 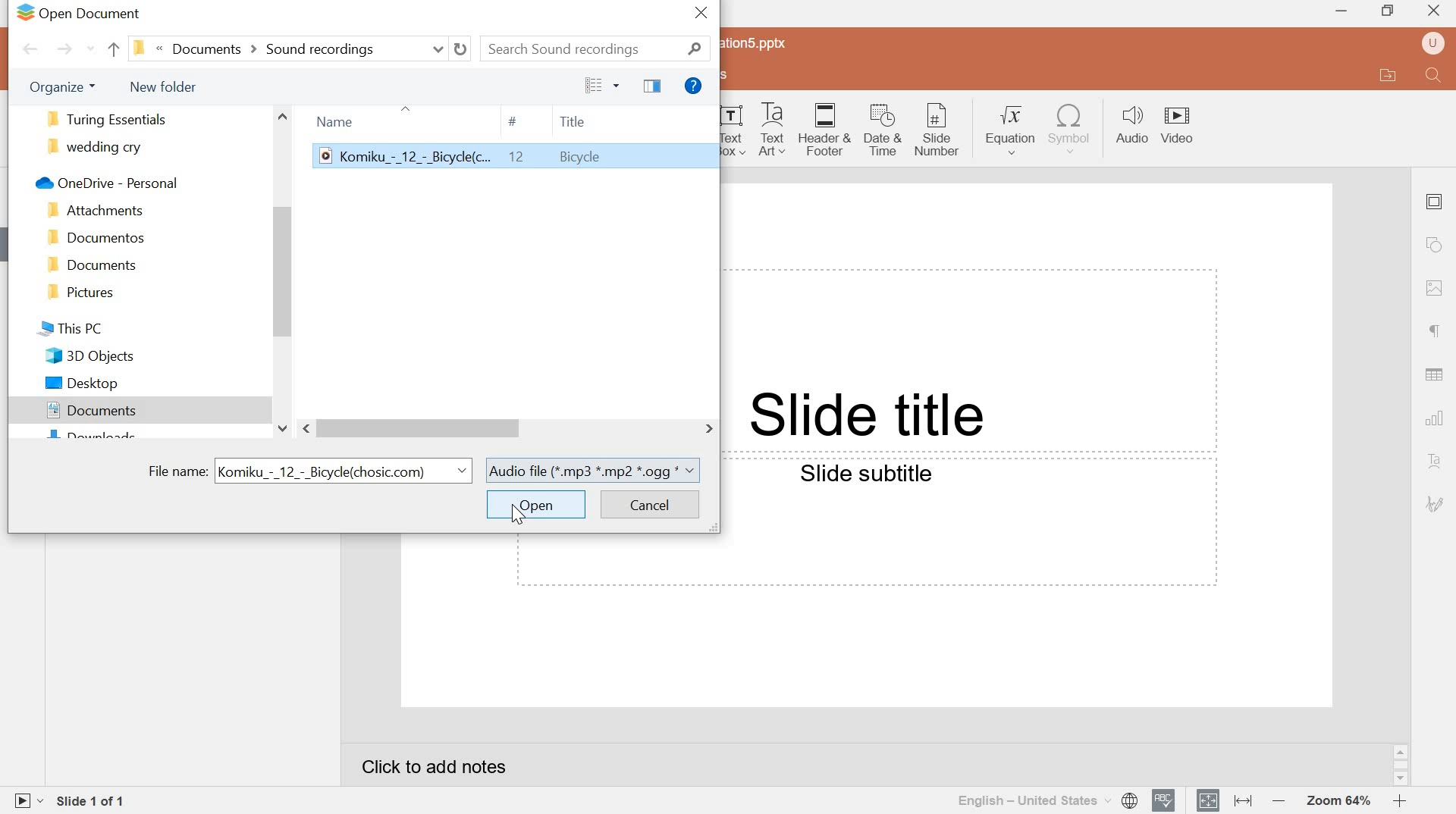 I want to click on scroll down, so click(x=1401, y=780).